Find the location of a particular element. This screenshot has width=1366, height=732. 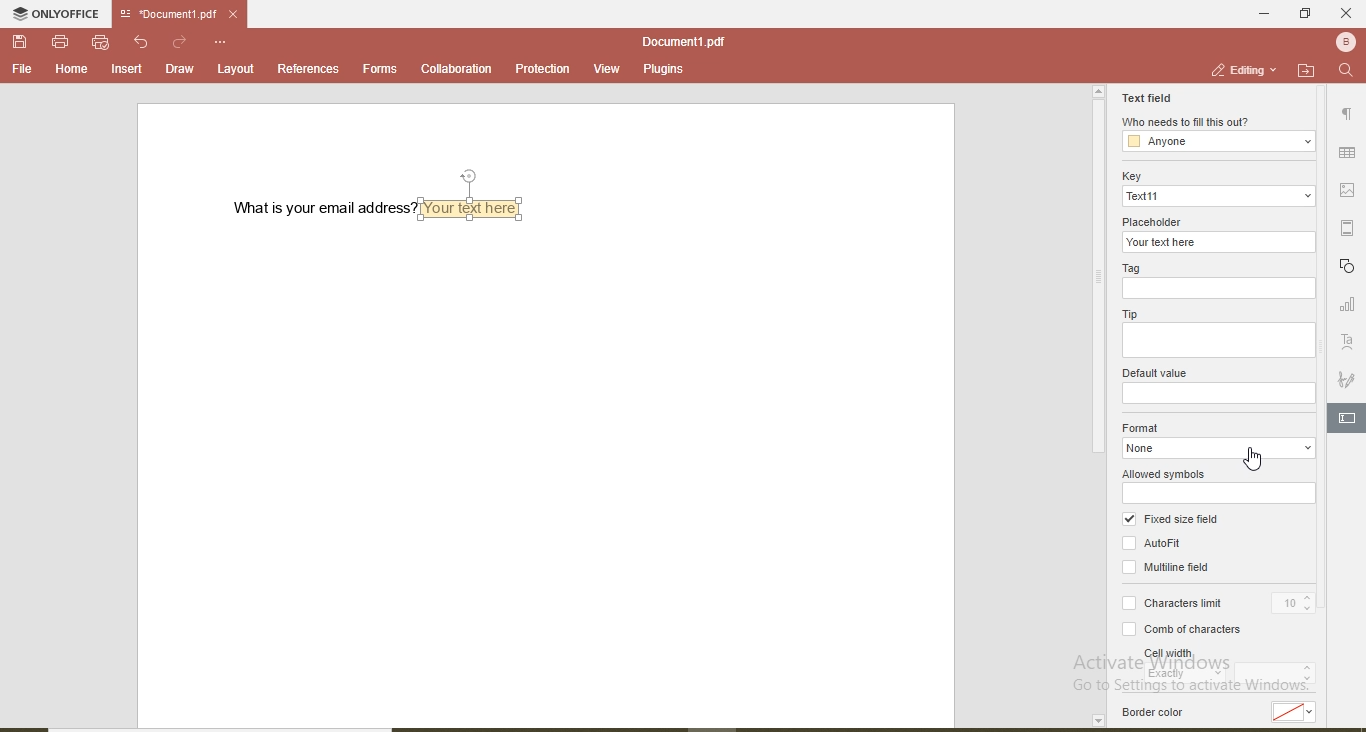

picture is located at coordinates (1351, 189).